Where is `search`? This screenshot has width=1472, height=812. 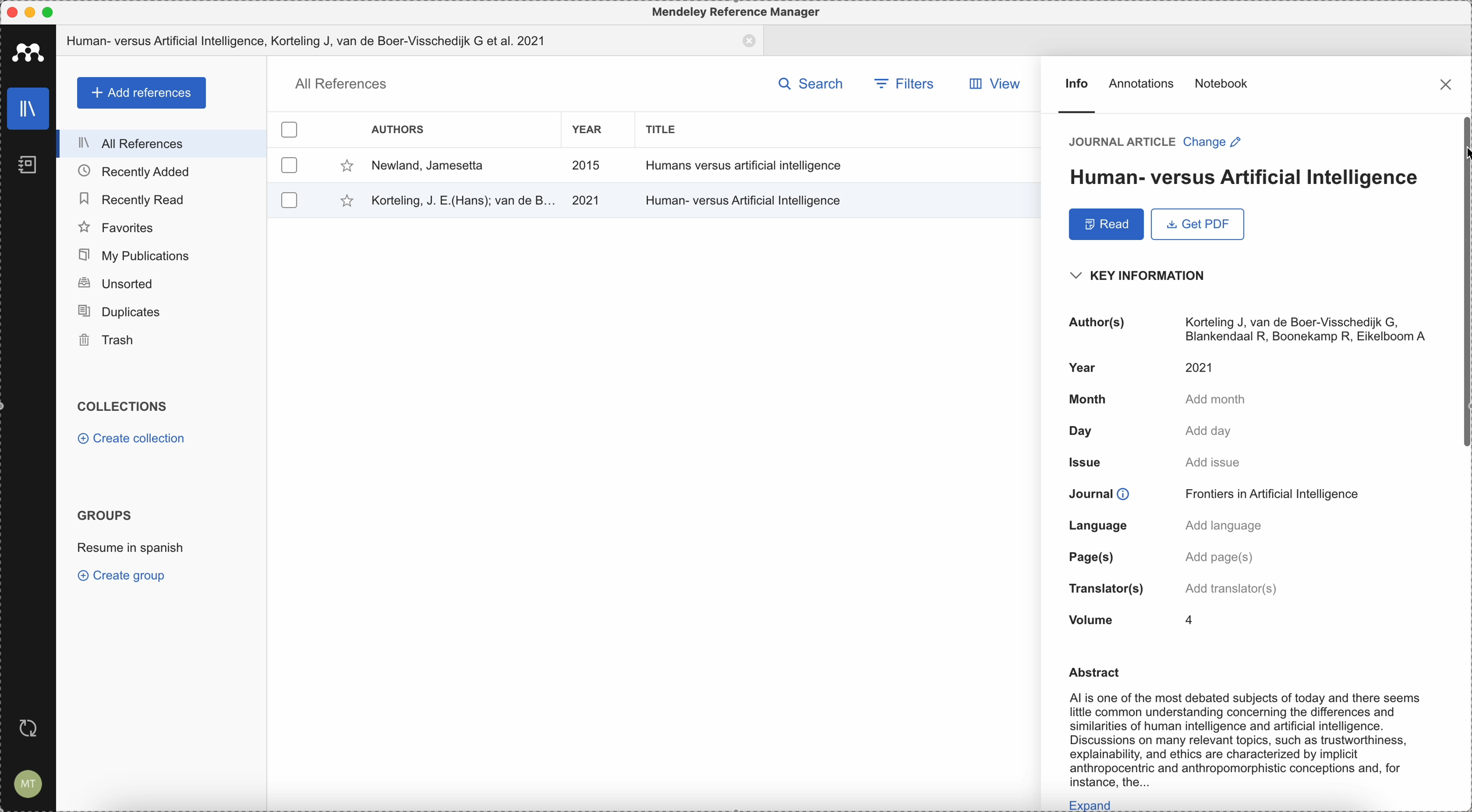 search is located at coordinates (811, 82).